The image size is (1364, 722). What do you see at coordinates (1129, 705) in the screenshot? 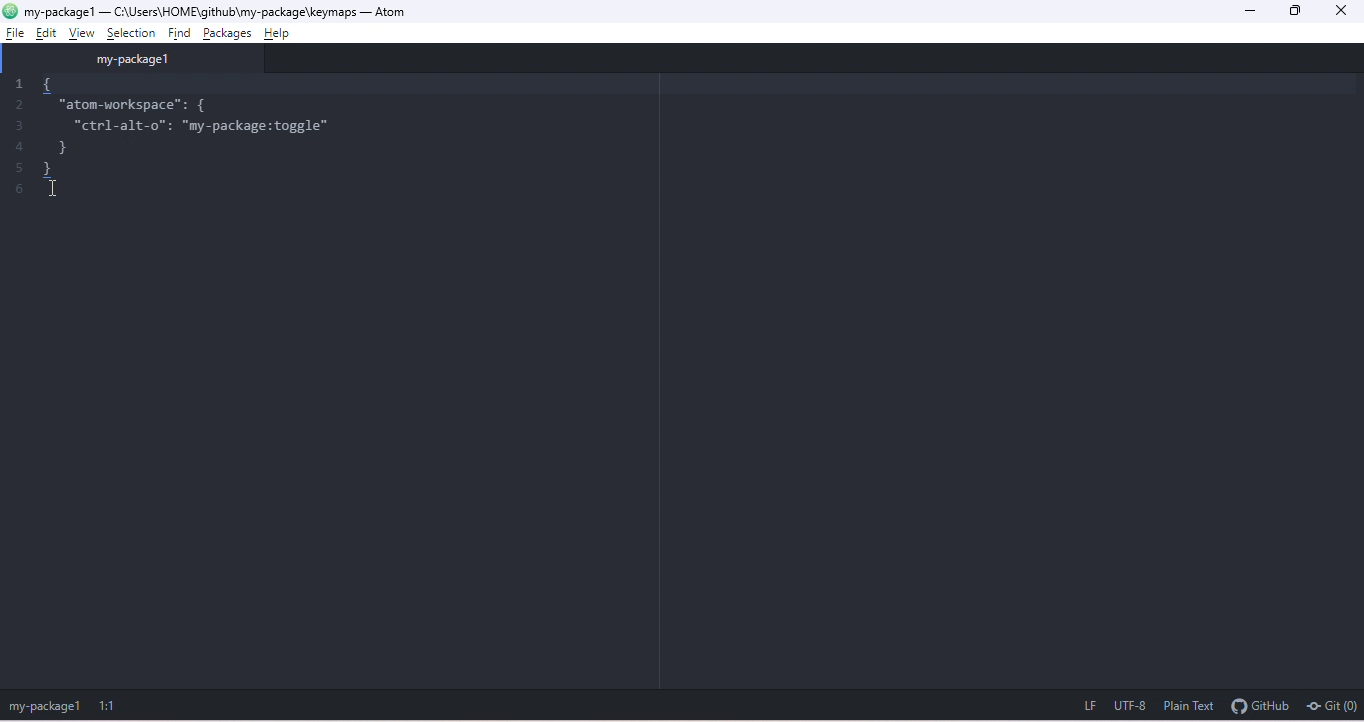
I see `utf 8` at bounding box center [1129, 705].